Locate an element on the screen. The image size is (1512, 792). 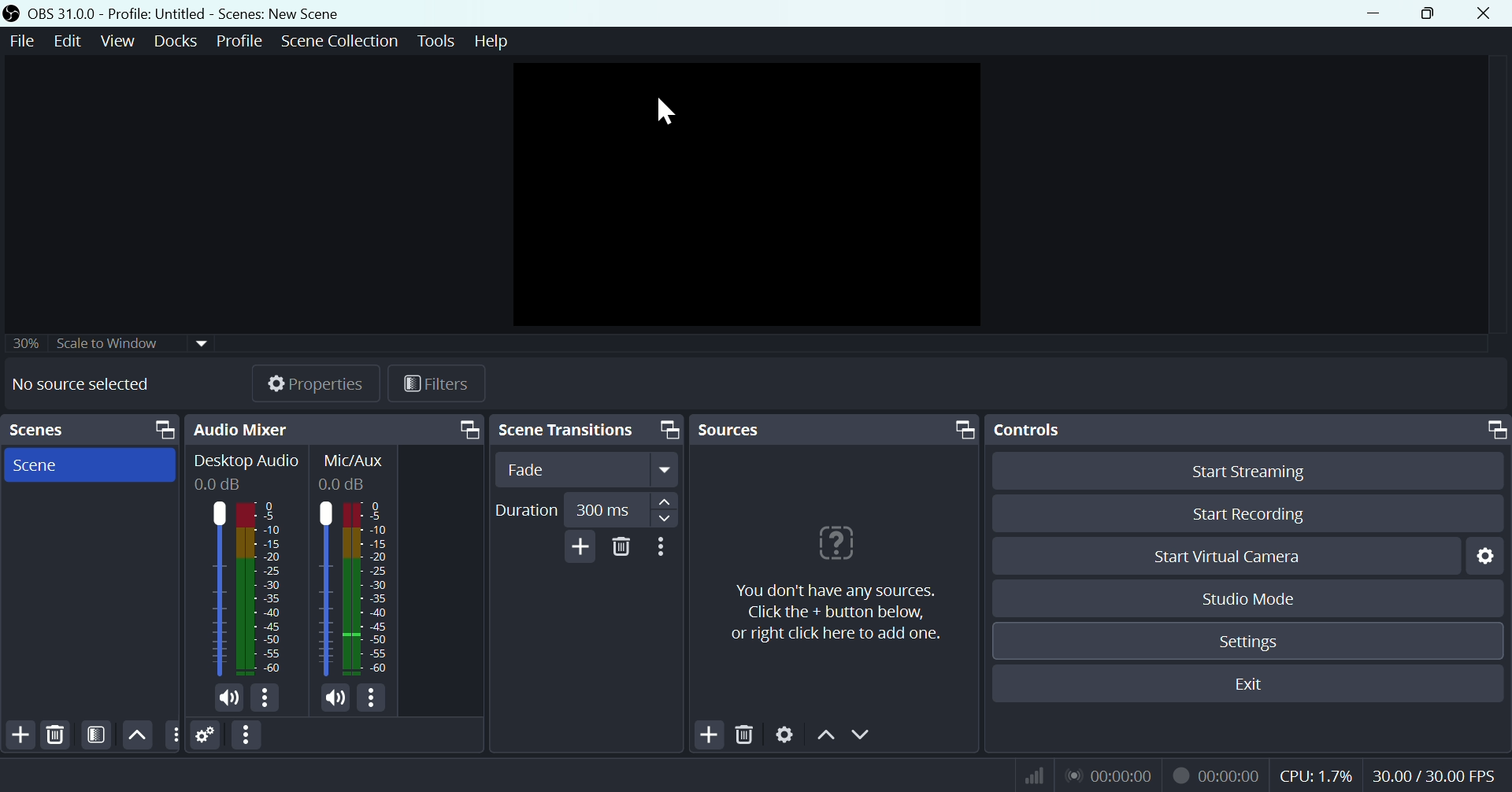
volume is located at coordinates (331, 699).